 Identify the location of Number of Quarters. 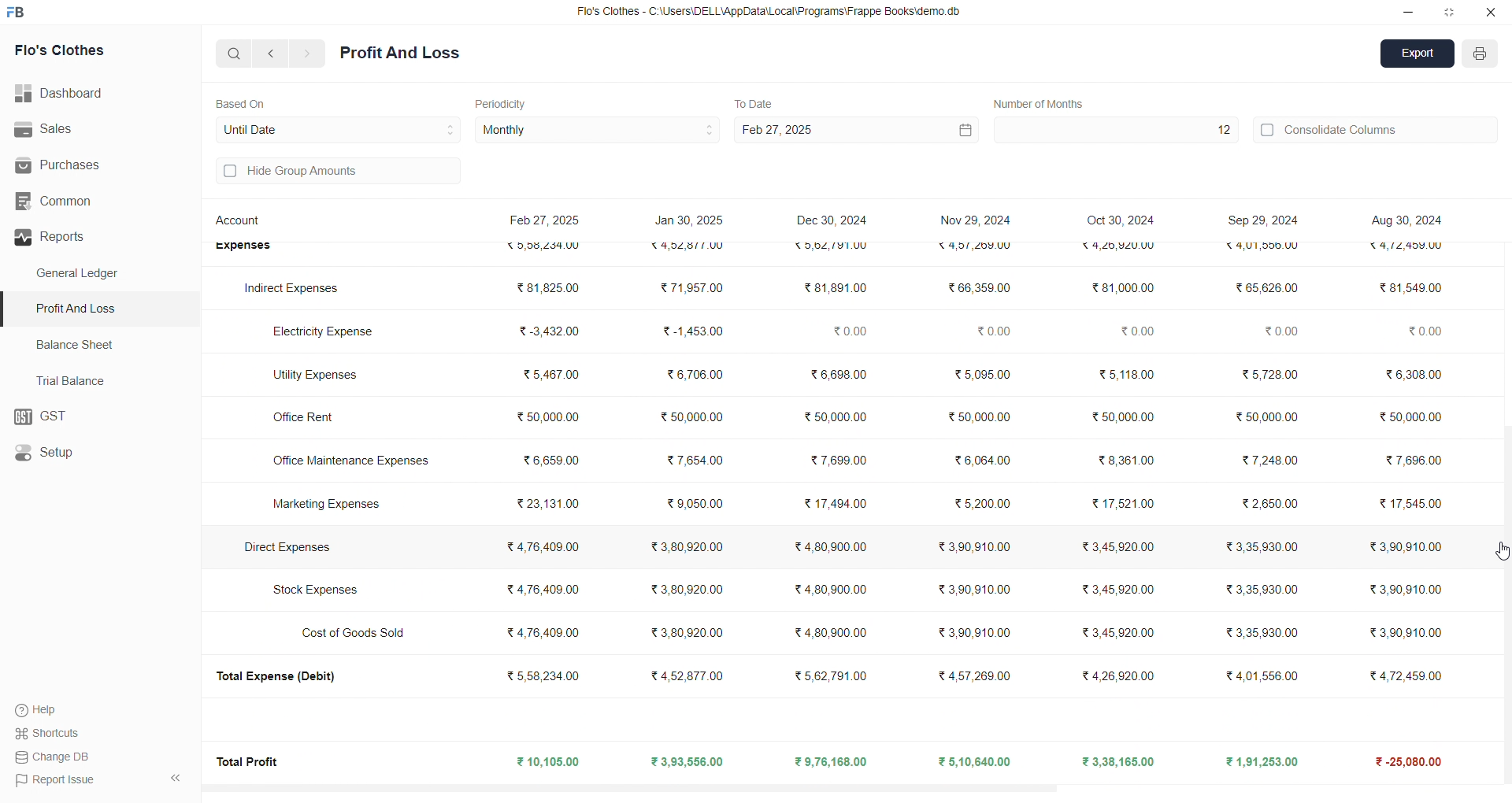
(1043, 103).